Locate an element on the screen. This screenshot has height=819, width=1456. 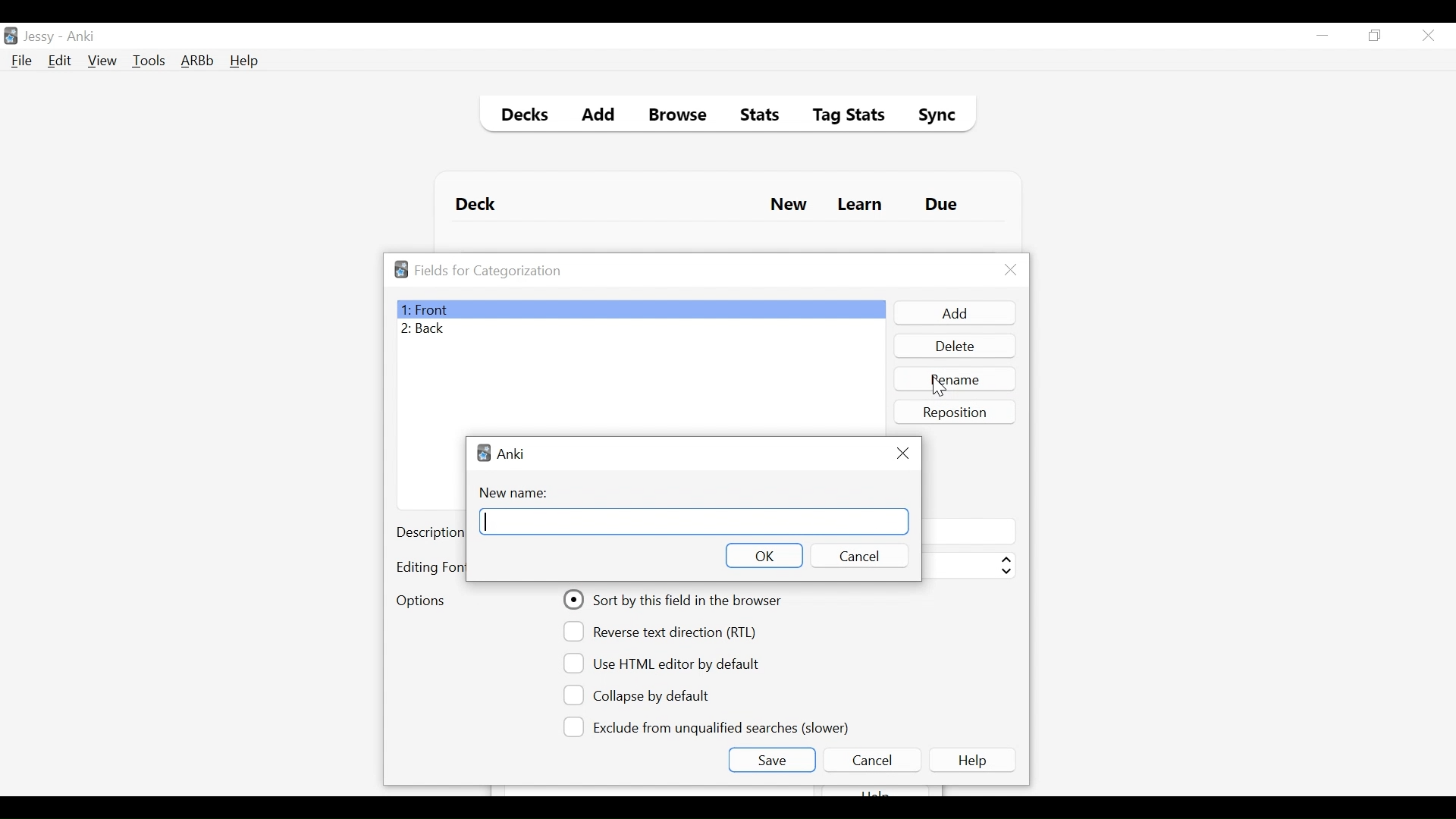
Anki Desktop icon is located at coordinates (11, 36).